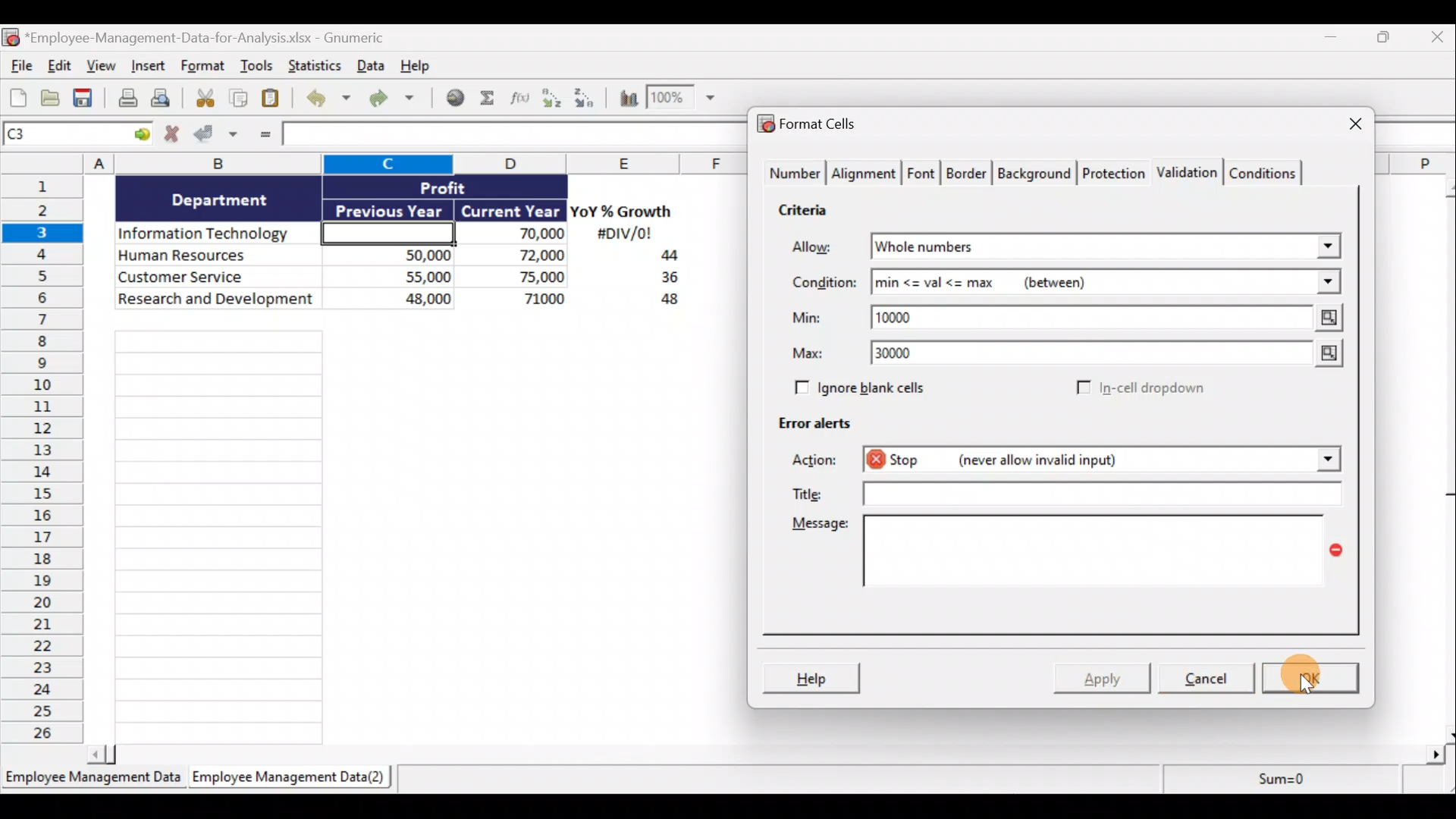  Describe the element at coordinates (582, 96) in the screenshot. I see `Sort descending` at that location.